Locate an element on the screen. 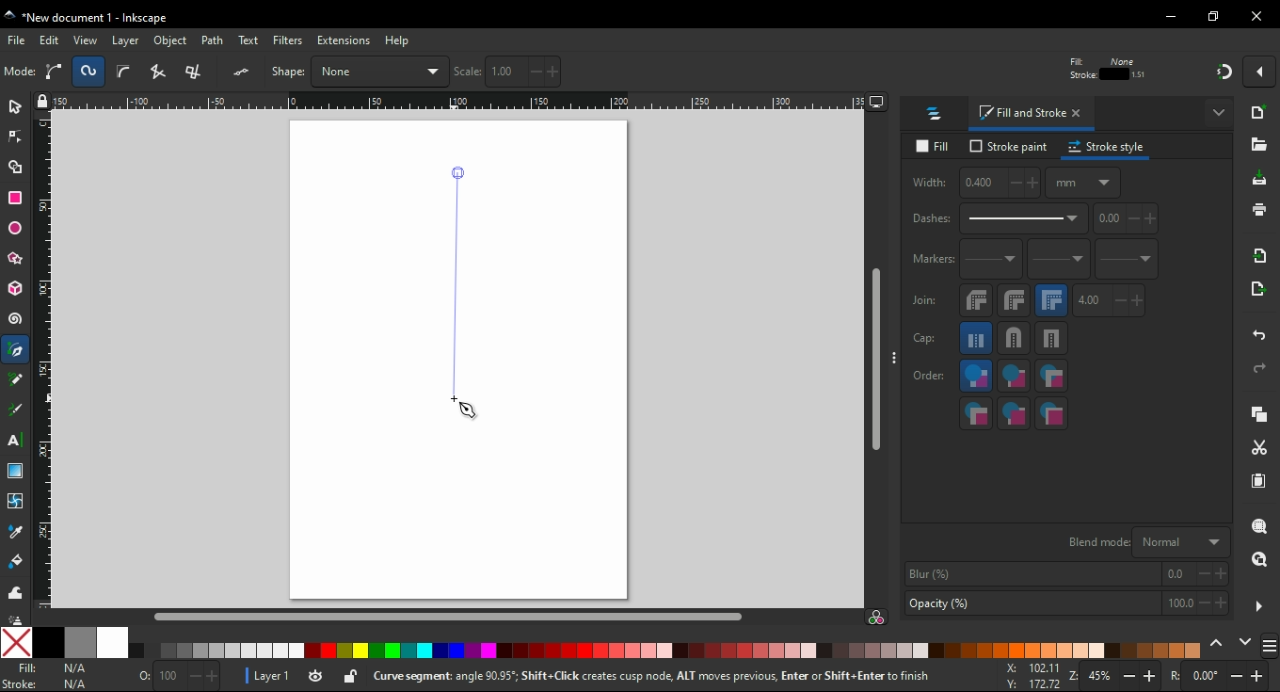  stroke markers is located at coordinates (1014, 413).